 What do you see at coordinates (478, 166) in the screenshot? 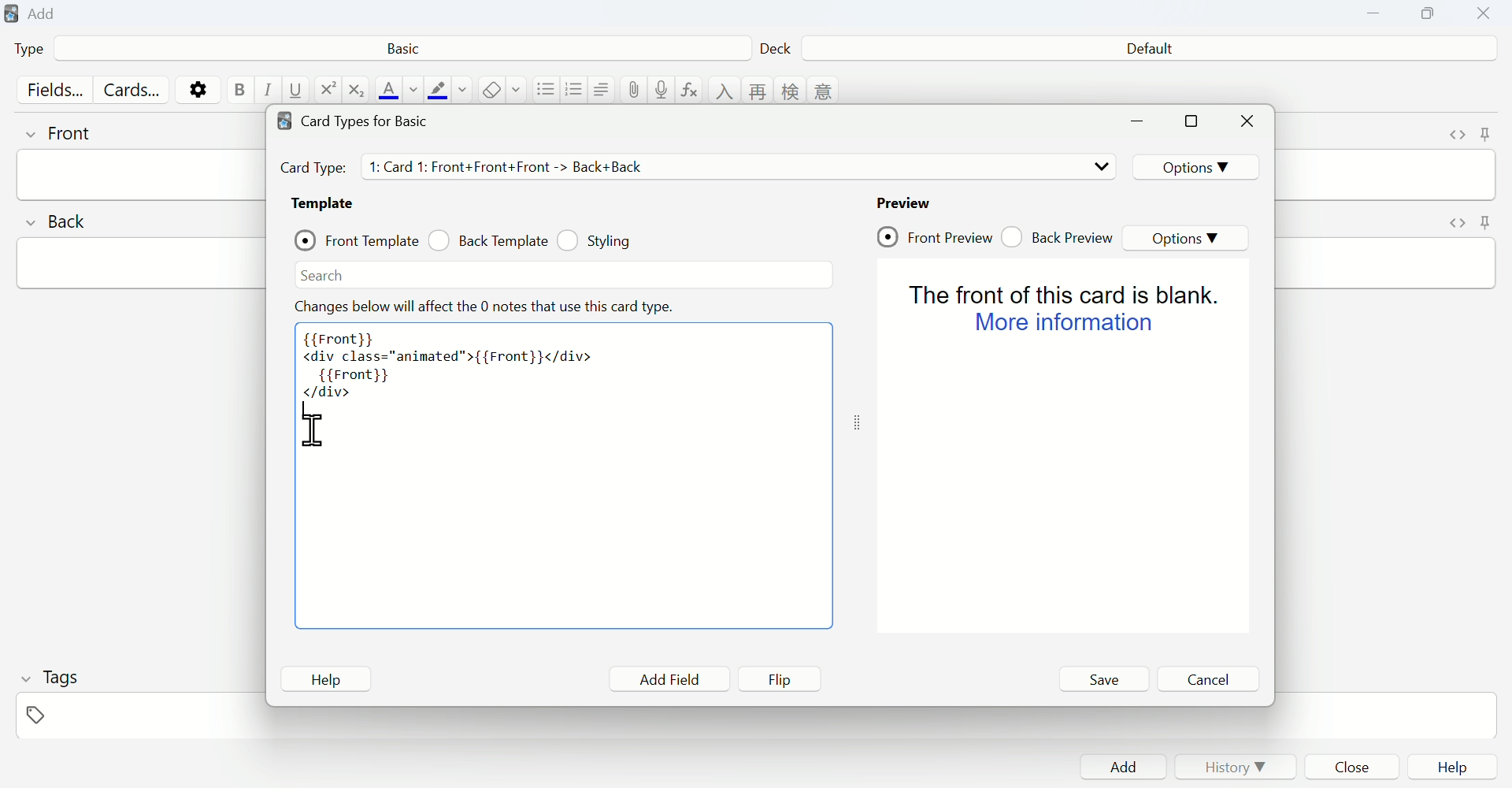
I see `Card Types details` at bounding box center [478, 166].